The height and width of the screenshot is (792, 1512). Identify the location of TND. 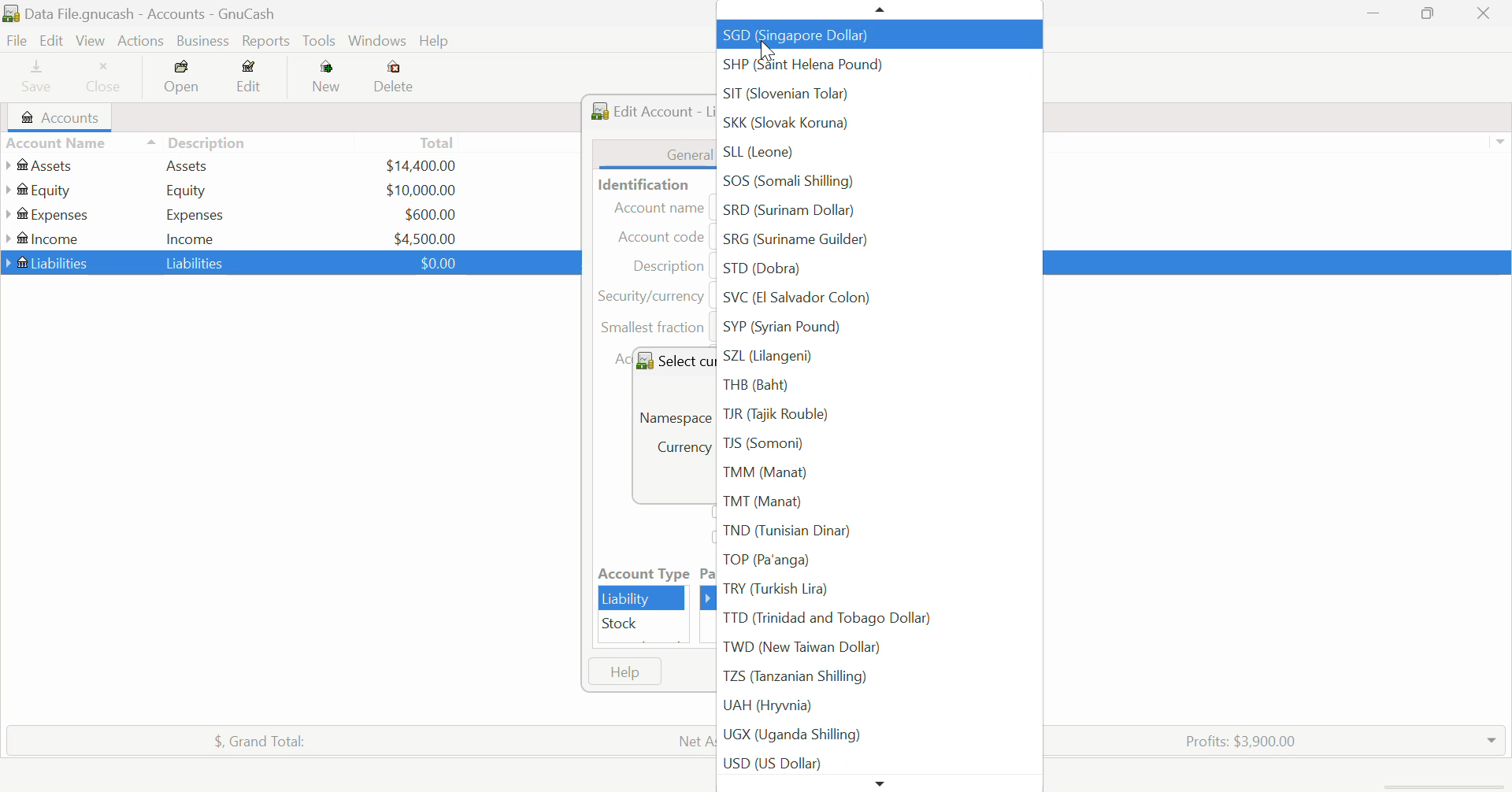
(875, 532).